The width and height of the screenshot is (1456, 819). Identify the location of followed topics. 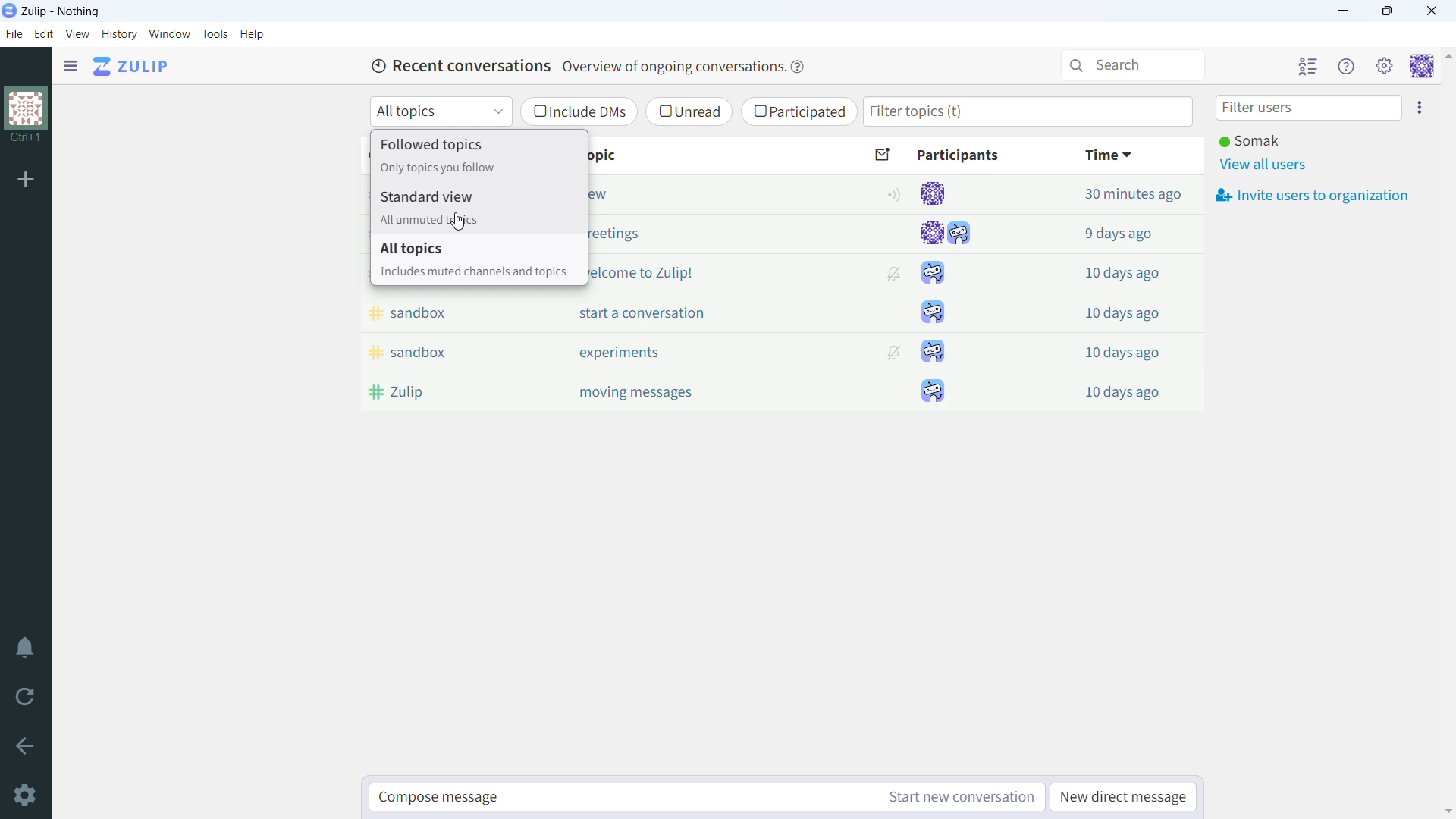
(479, 154).